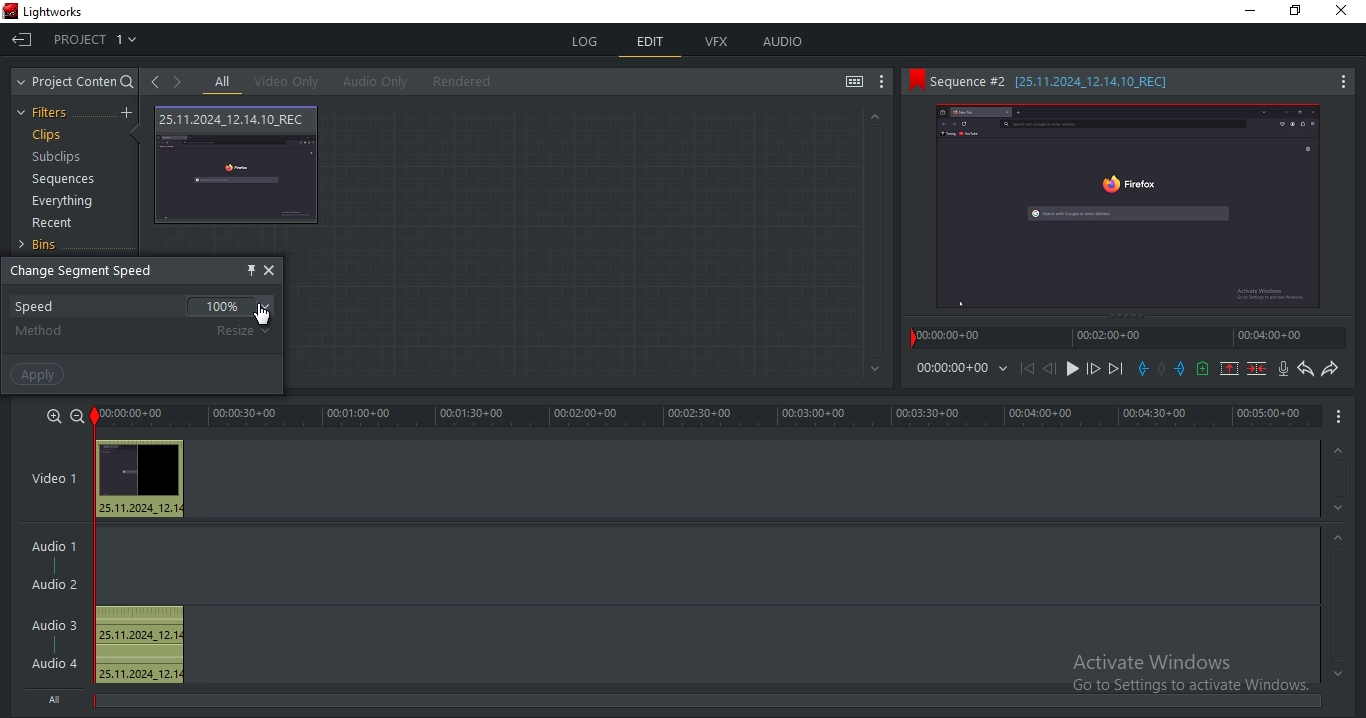  What do you see at coordinates (57, 698) in the screenshot?
I see `all` at bounding box center [57, 698].